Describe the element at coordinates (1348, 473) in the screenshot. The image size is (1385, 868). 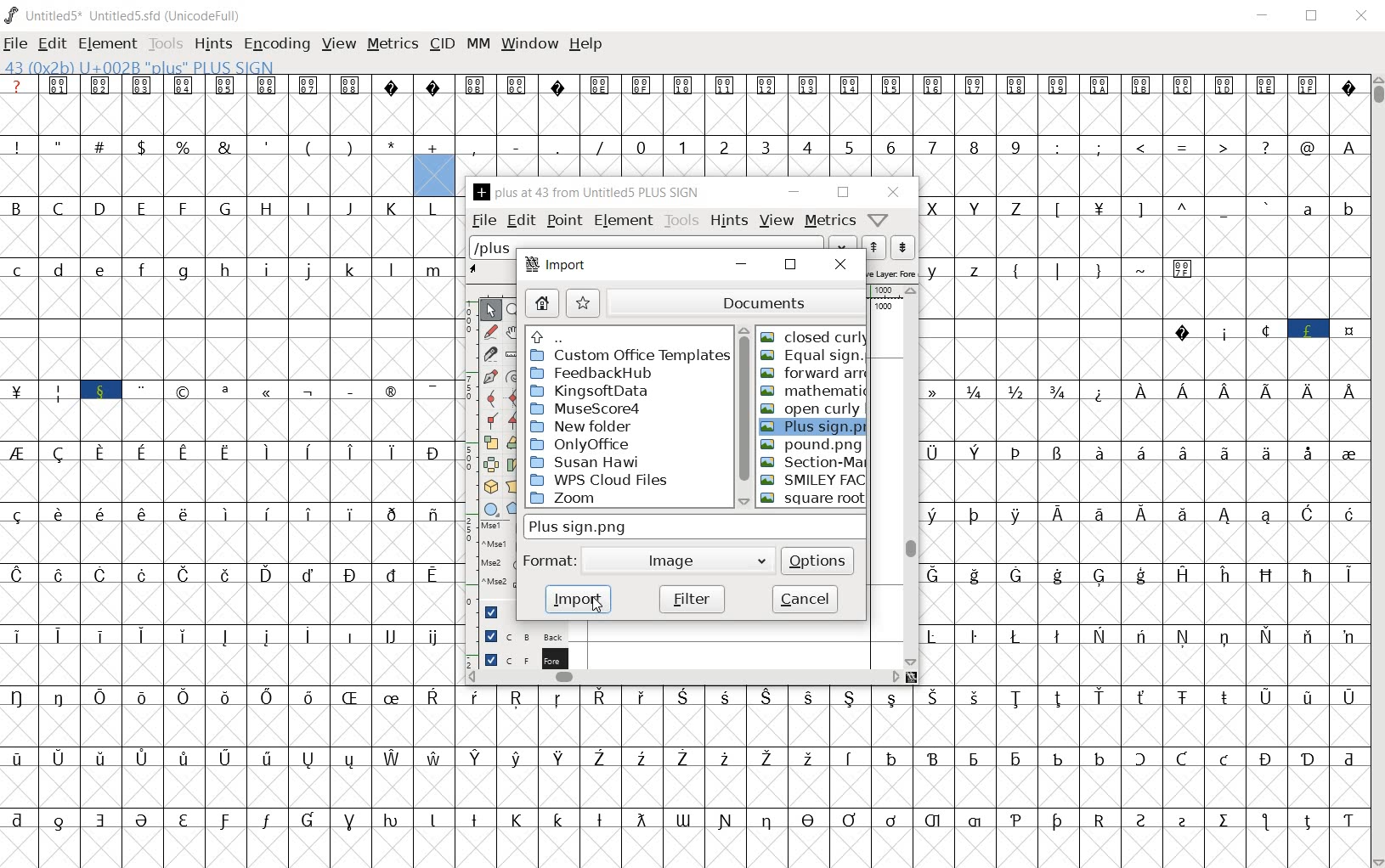
I see `special characters` at that location.